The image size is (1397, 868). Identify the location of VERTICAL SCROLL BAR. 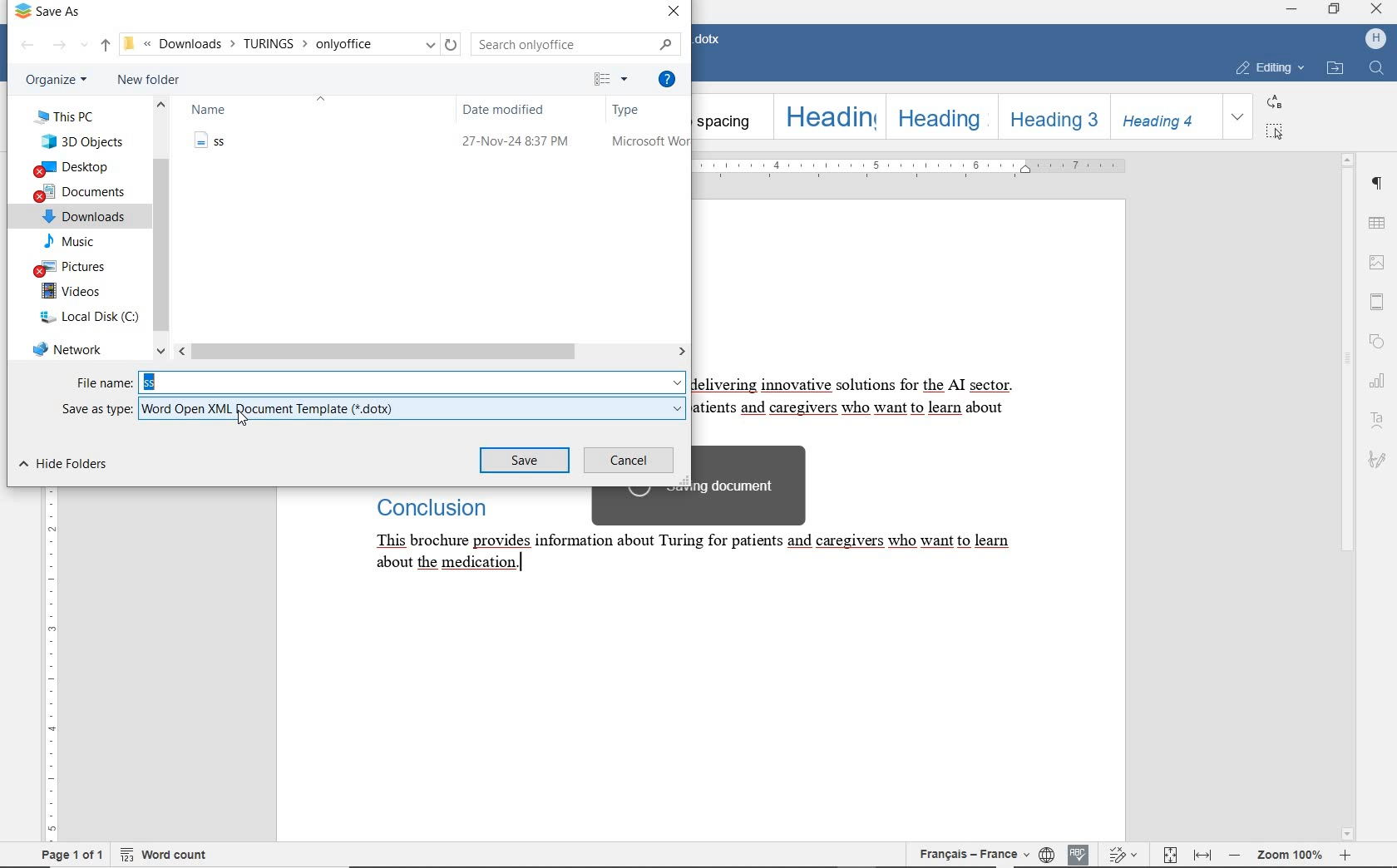
(160, 228).